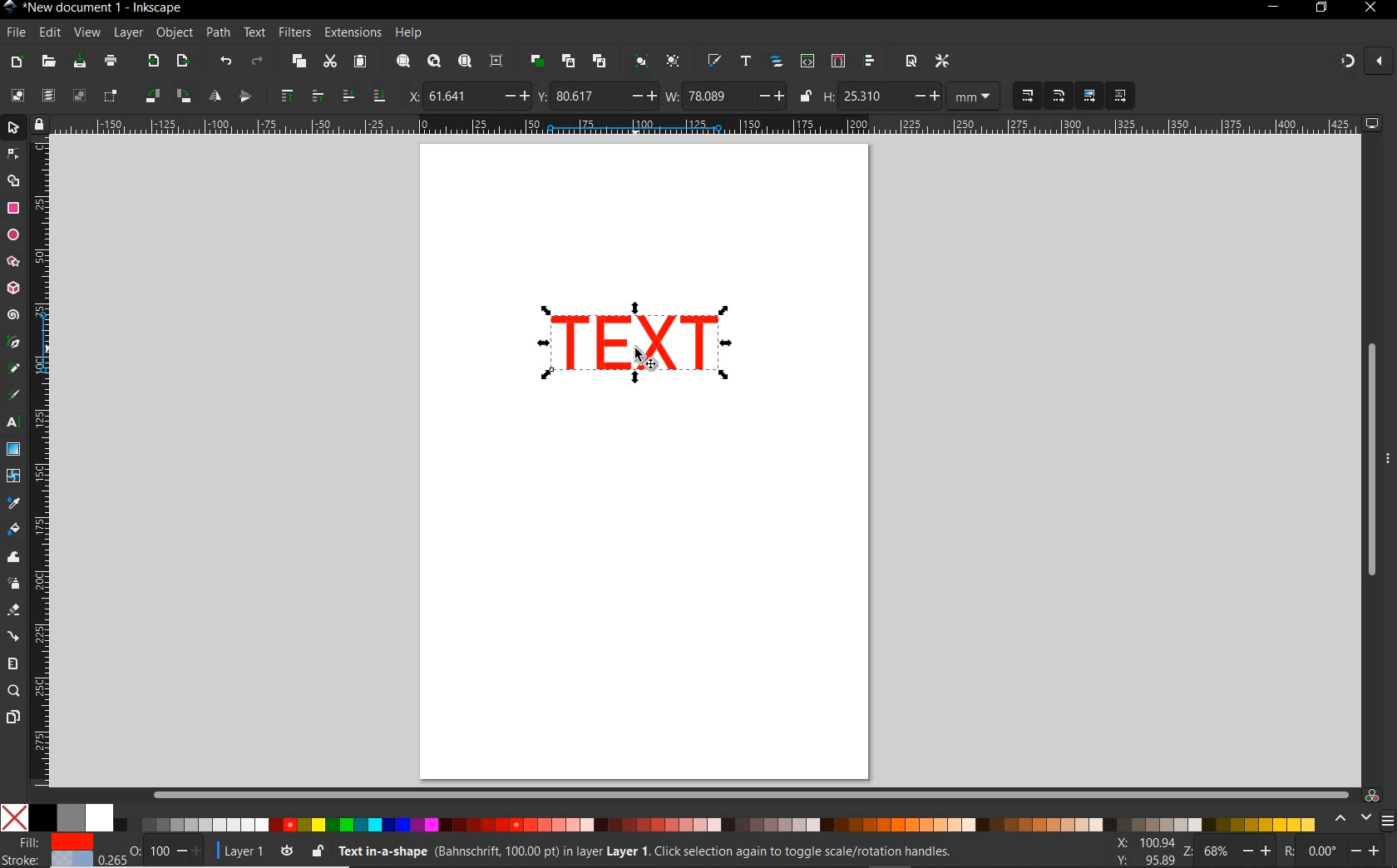 The width and height of the screenshot is (1397, 868). Describe the element at coordinates (17, 396) in the screenshot. I see `calligraphy tool` at that location.